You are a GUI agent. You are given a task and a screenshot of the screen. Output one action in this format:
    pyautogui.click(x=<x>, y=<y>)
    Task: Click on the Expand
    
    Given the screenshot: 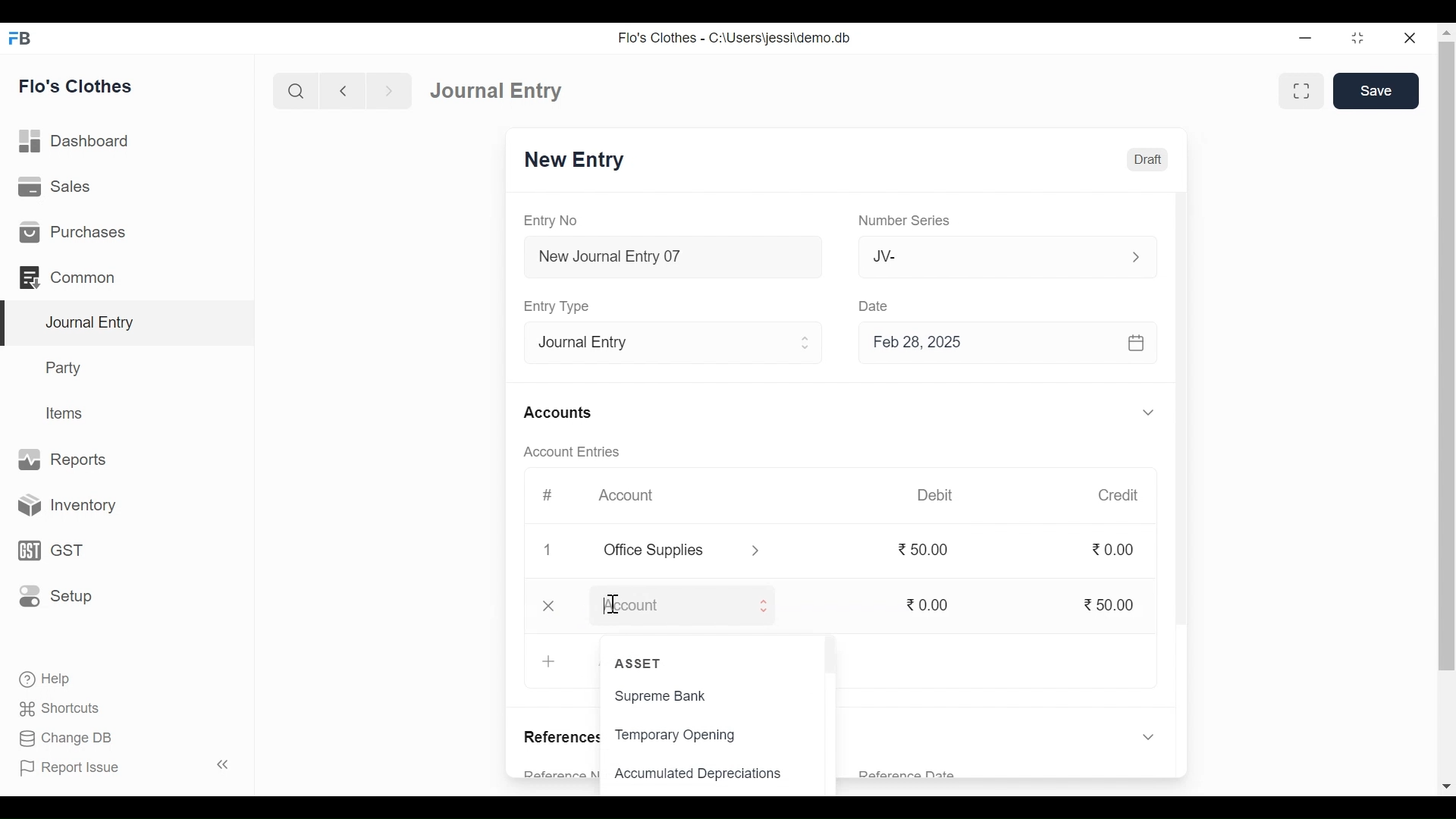 What is the action you would take?
    pyautogui.click(x=805, y=344)
    